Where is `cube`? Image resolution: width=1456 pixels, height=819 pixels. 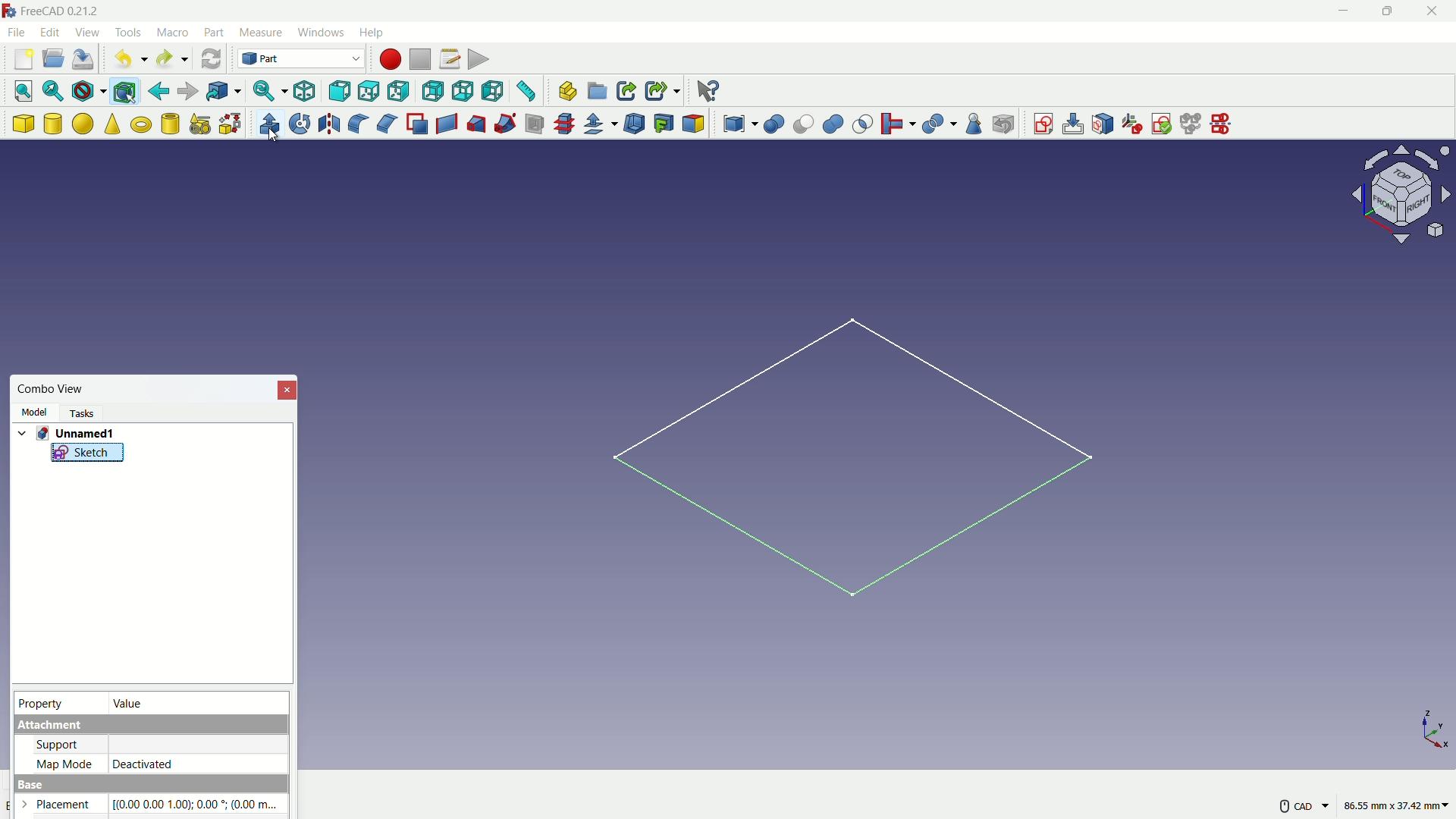 cube is located at coordinates (23, 124).